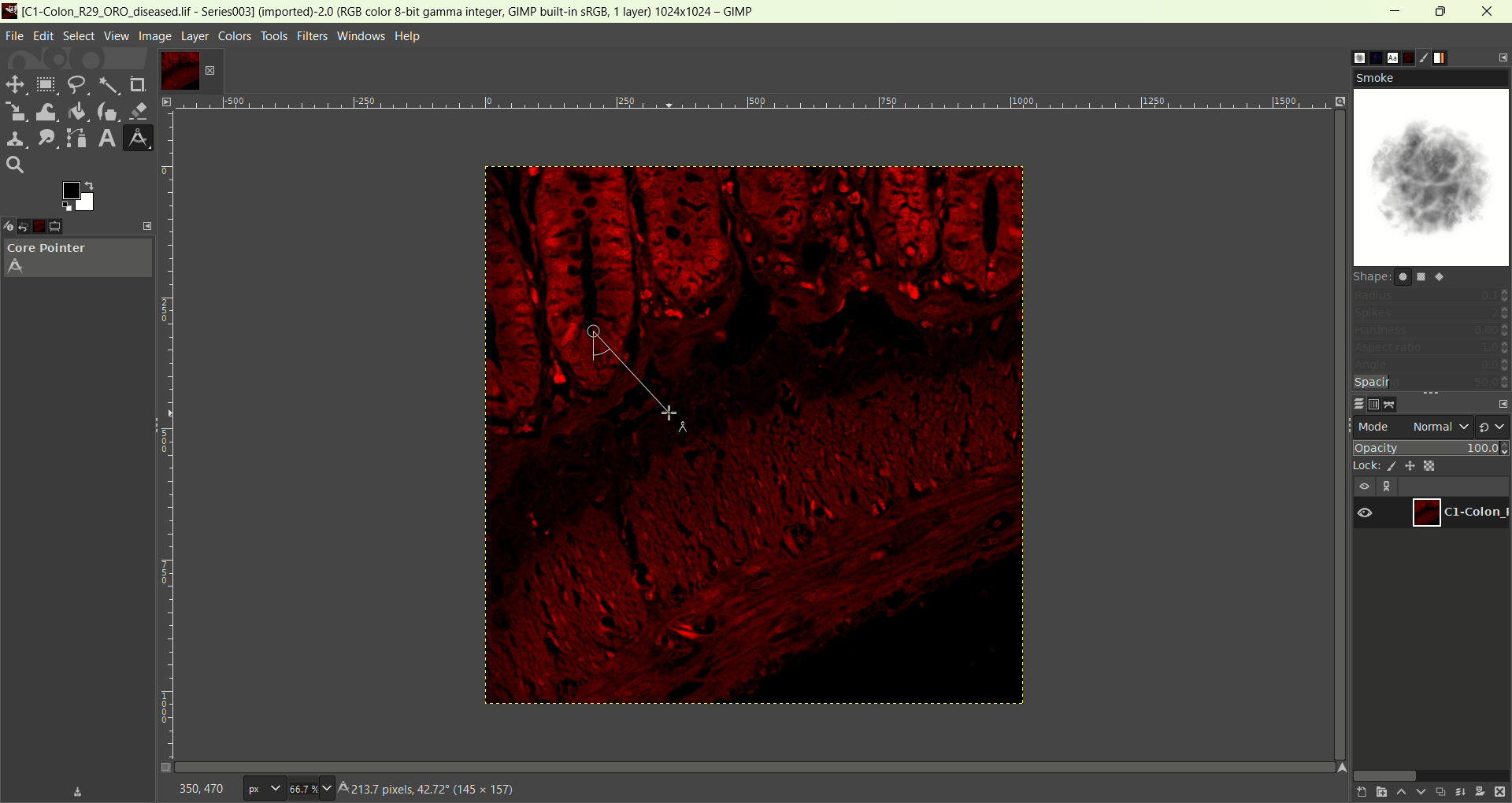  Describe the element at coordinates (1329, 267) in the screenshot. I see `vertical scroll bar` at that location.